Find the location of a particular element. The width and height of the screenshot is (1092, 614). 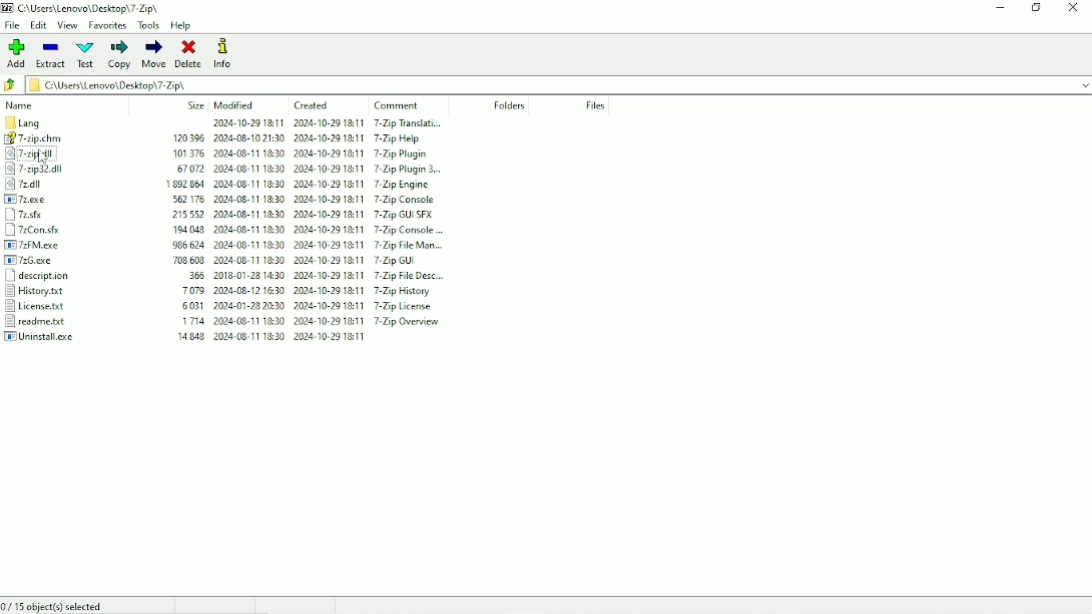

Name is located at coordinates (21, 105).